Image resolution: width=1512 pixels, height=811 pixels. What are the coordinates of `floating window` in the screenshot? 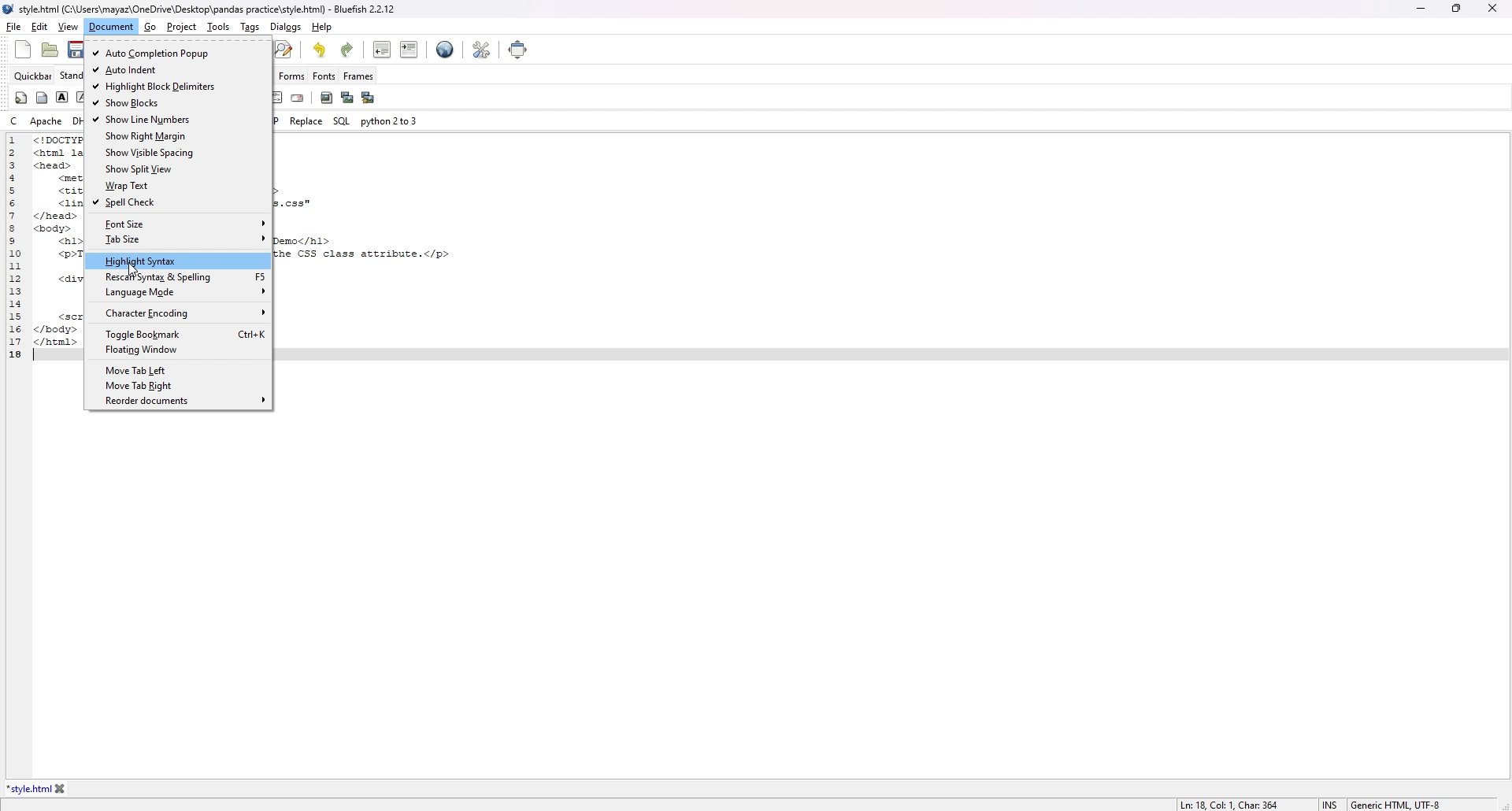 It's located at (179, 350).